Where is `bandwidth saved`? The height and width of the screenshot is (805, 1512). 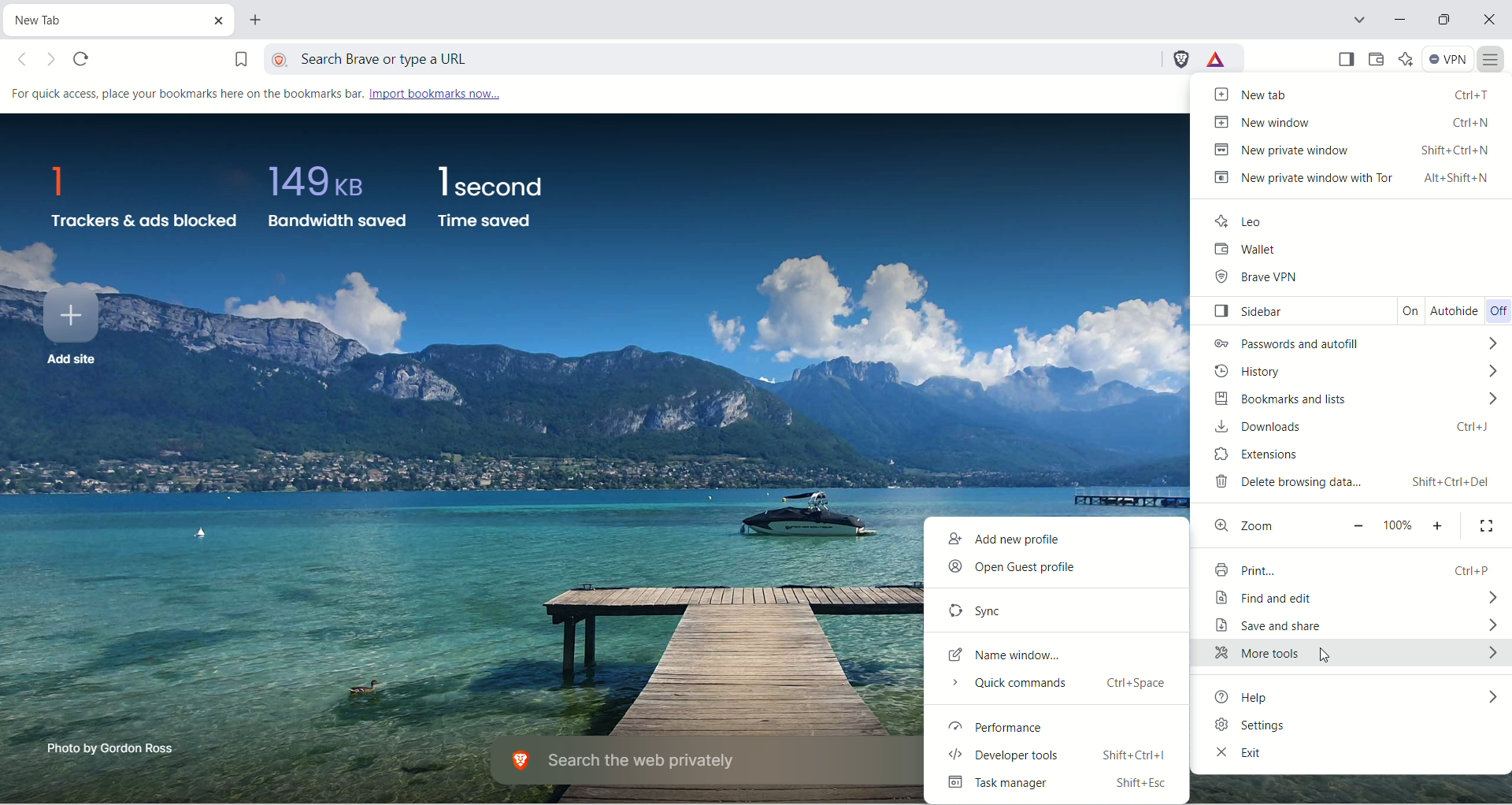
bandwidth saved is located at coordinates (335, 203).